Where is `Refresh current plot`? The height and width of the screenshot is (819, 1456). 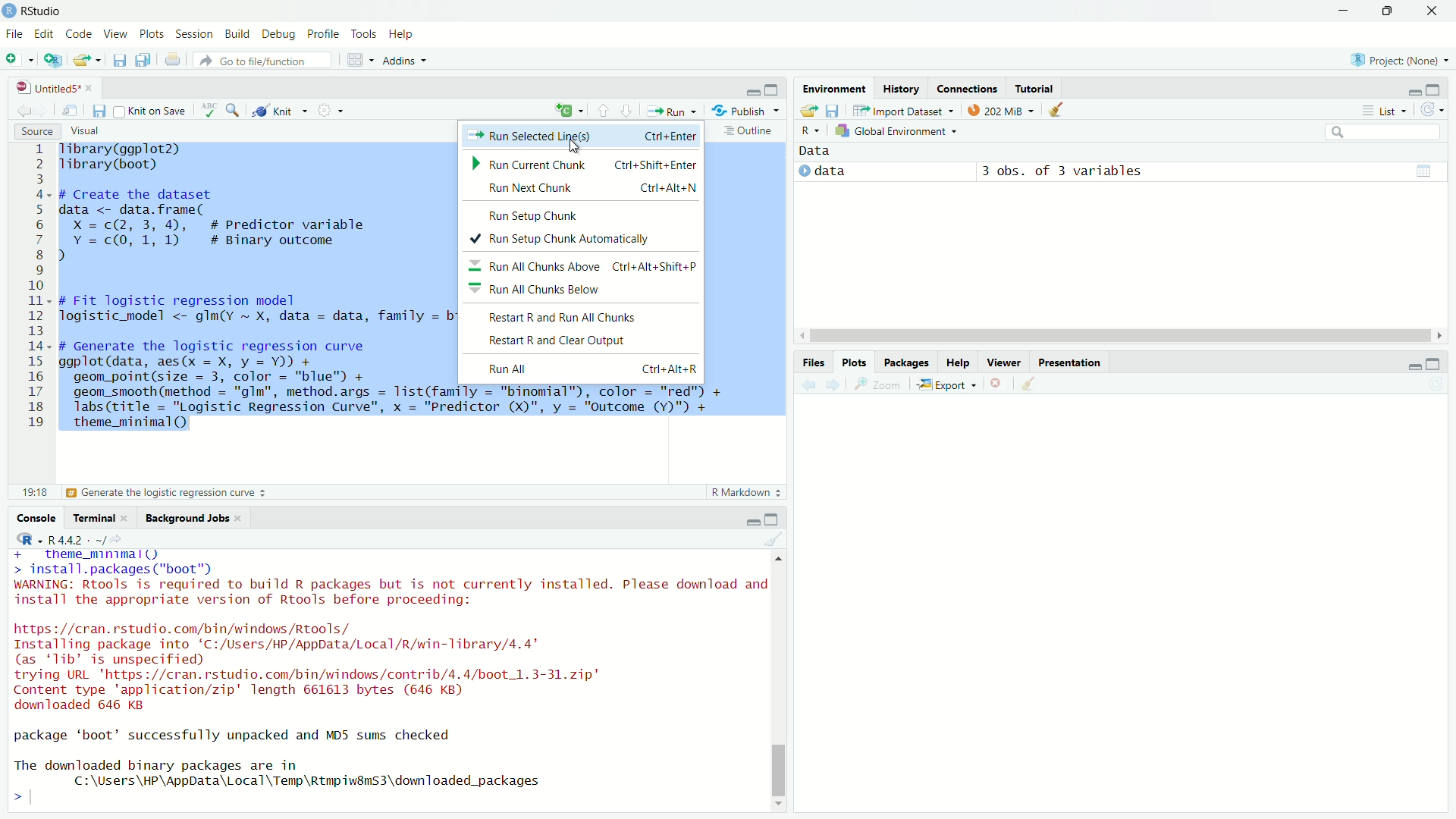
Refresh current plot is located at coordinates (1436, 384).